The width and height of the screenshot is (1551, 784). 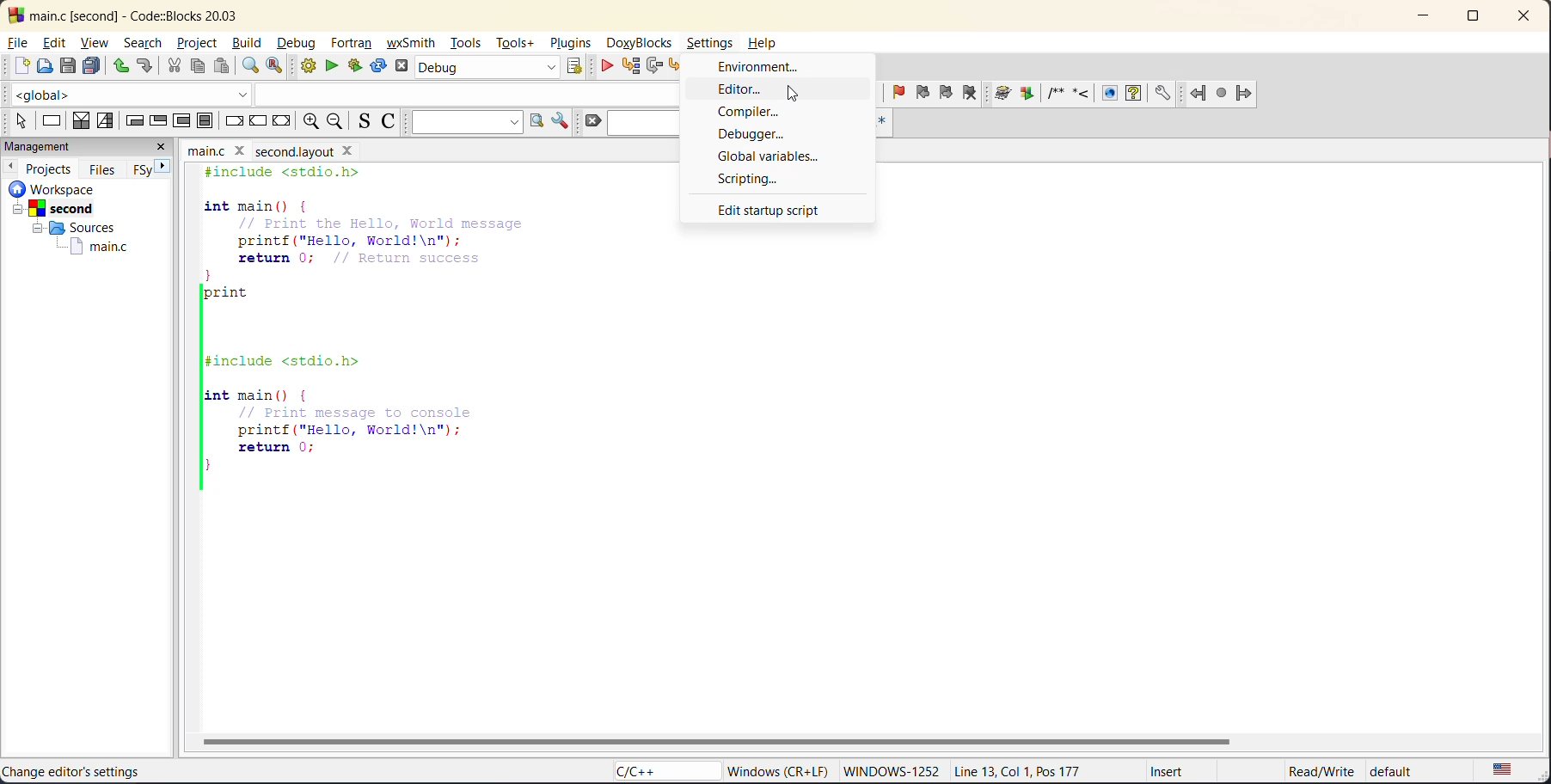 I want to click on copy, so click(x=199, y=67).